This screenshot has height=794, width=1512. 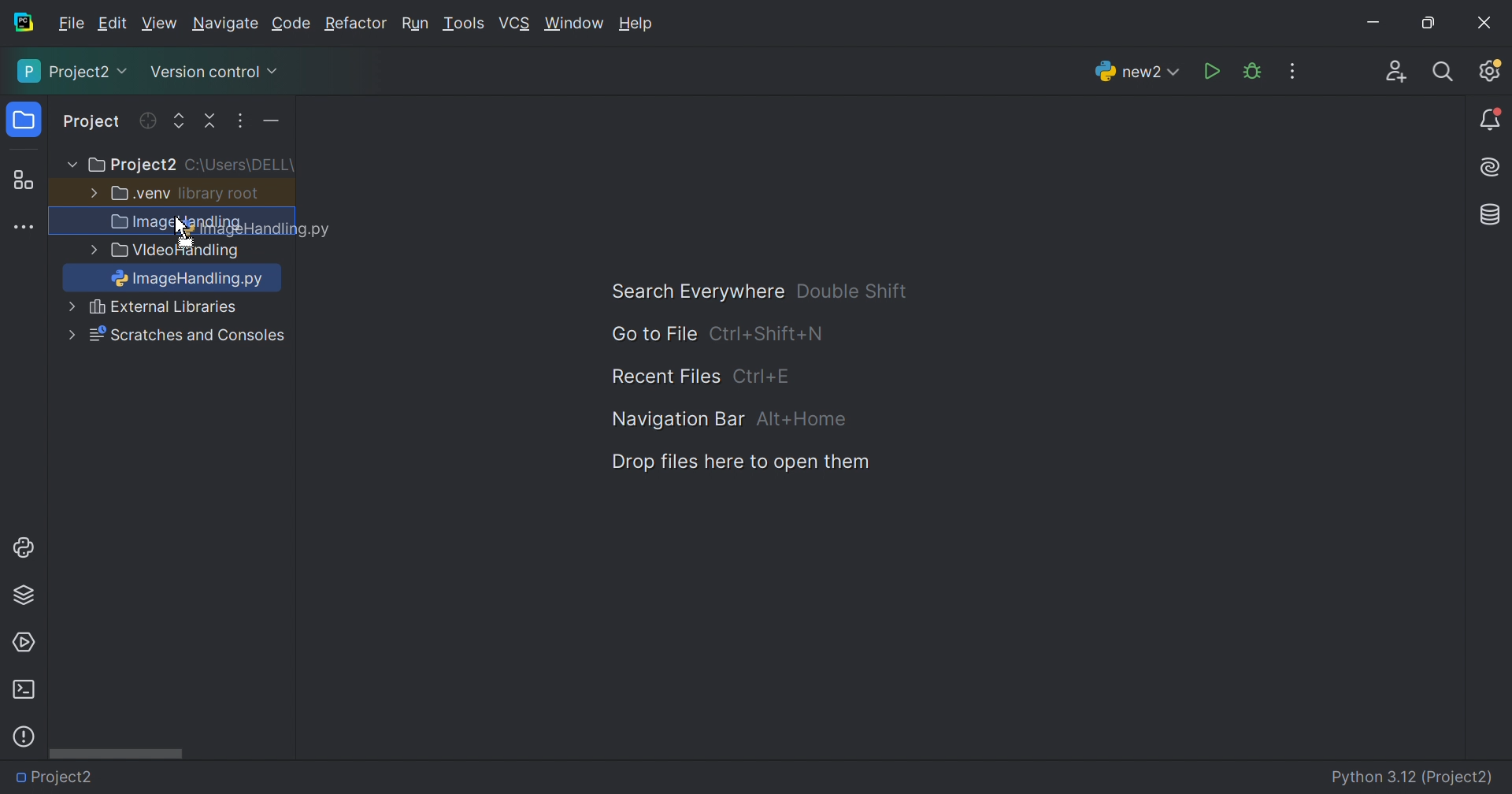 I want to click on Structure, so click(x=23, y=181).